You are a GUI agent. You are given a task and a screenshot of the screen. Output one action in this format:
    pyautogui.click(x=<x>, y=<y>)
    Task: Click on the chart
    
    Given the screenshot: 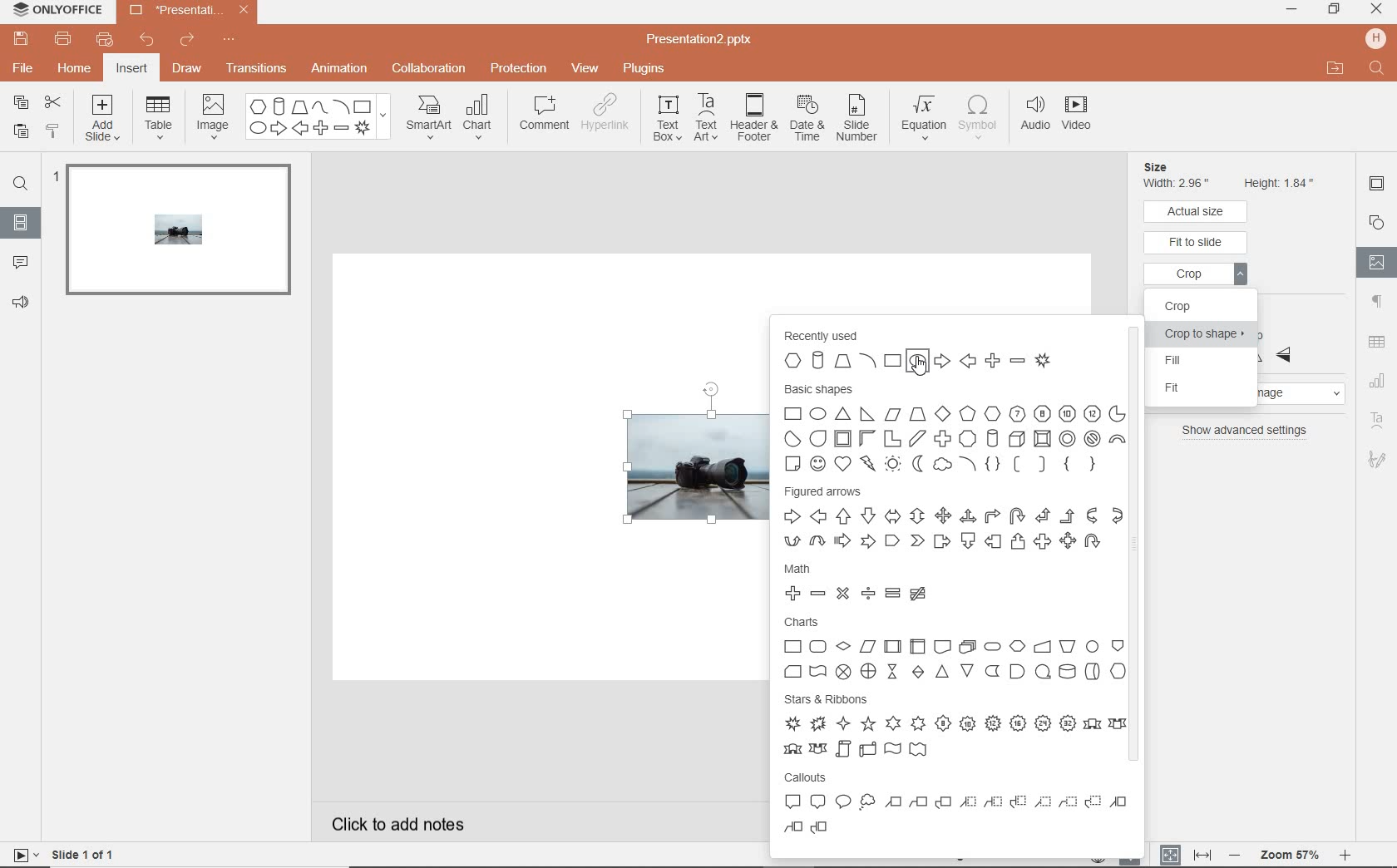 What is the action you would take?
    pyautogui.click(x=483, y=118)
    